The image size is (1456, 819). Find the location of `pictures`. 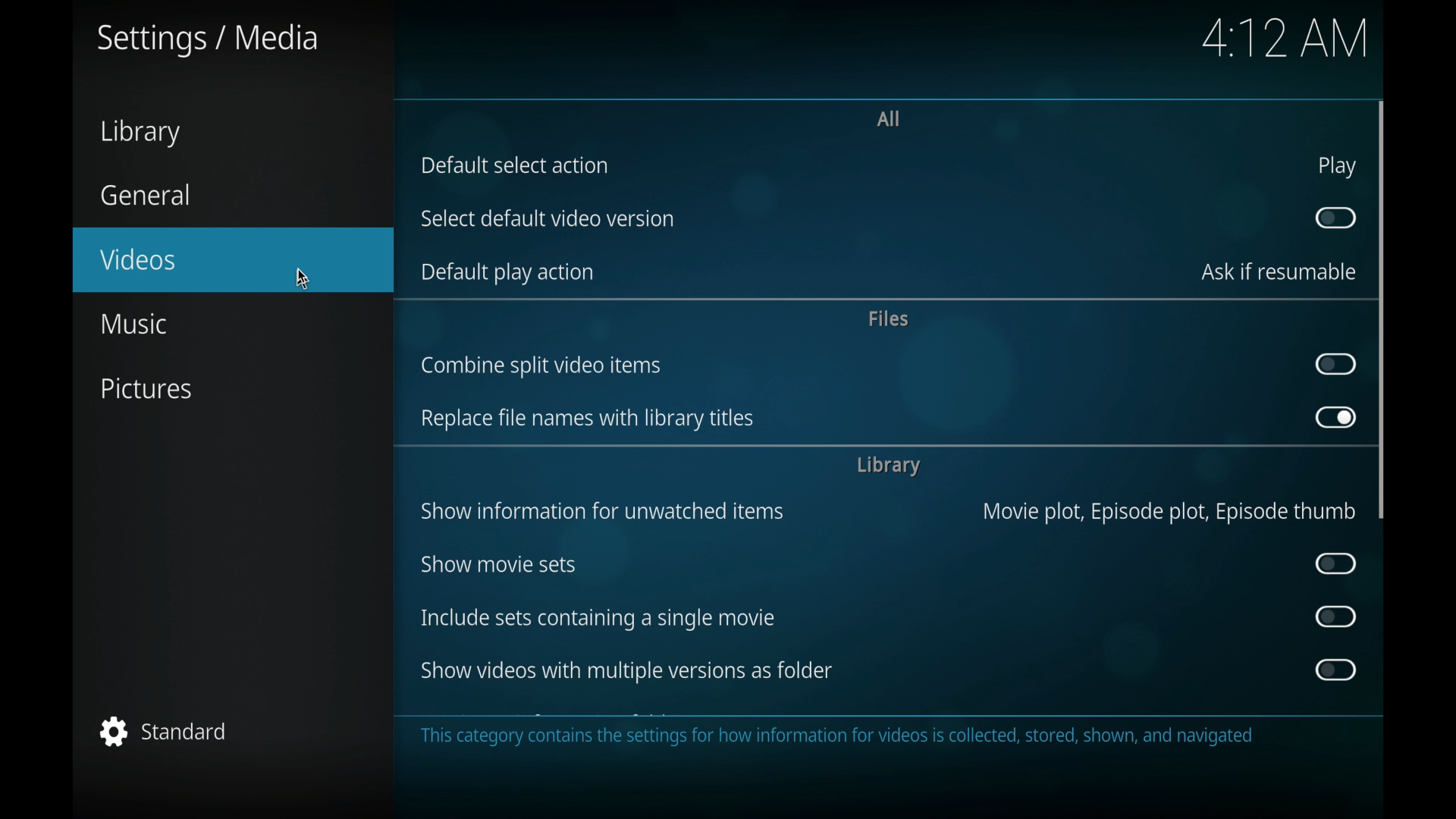

pictures is located at coordinates (149, 389).